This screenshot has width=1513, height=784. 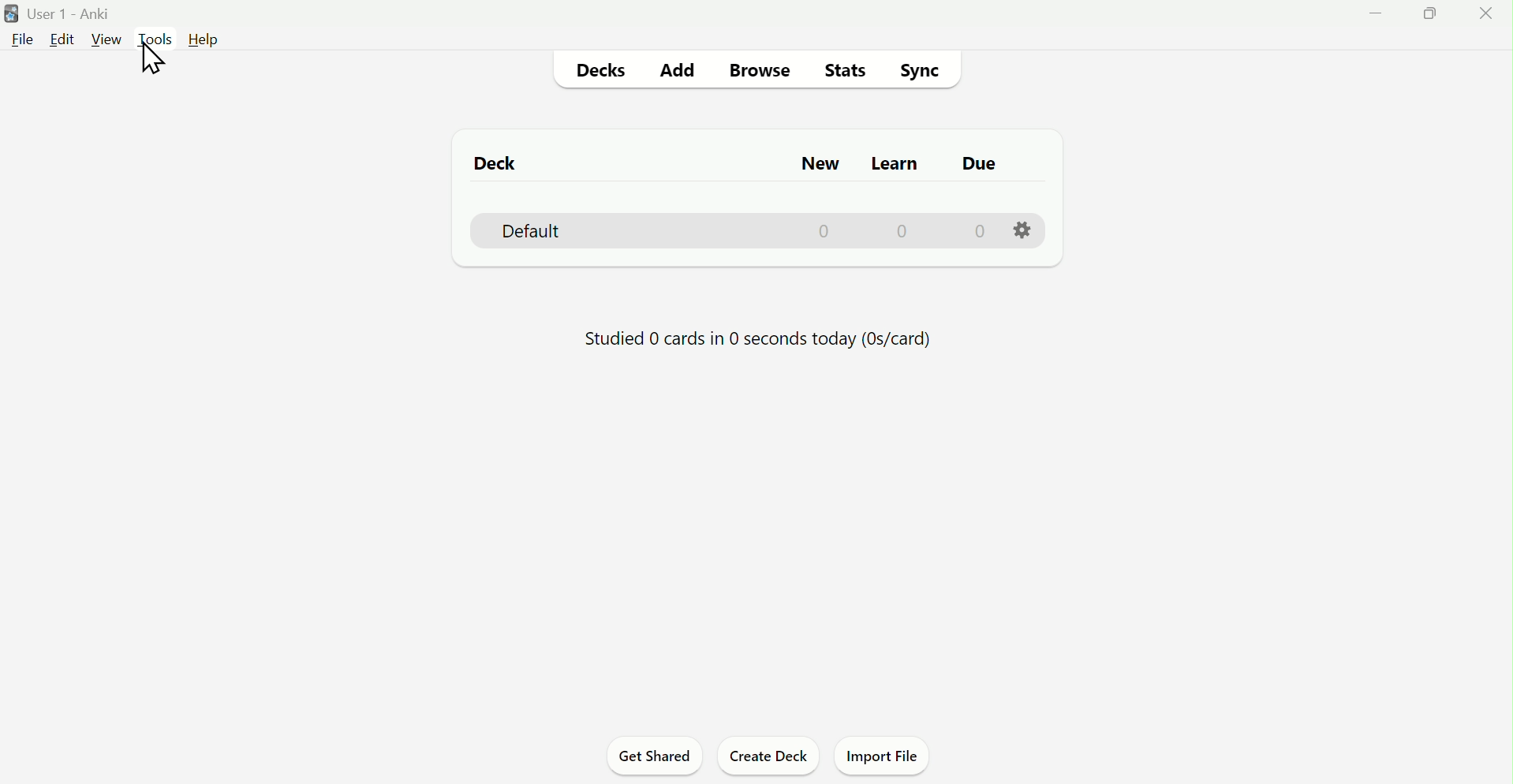 What do you see at coordinates (847, 69) in the screenshot?
I see `Stats` at bounding box center [847, 69].